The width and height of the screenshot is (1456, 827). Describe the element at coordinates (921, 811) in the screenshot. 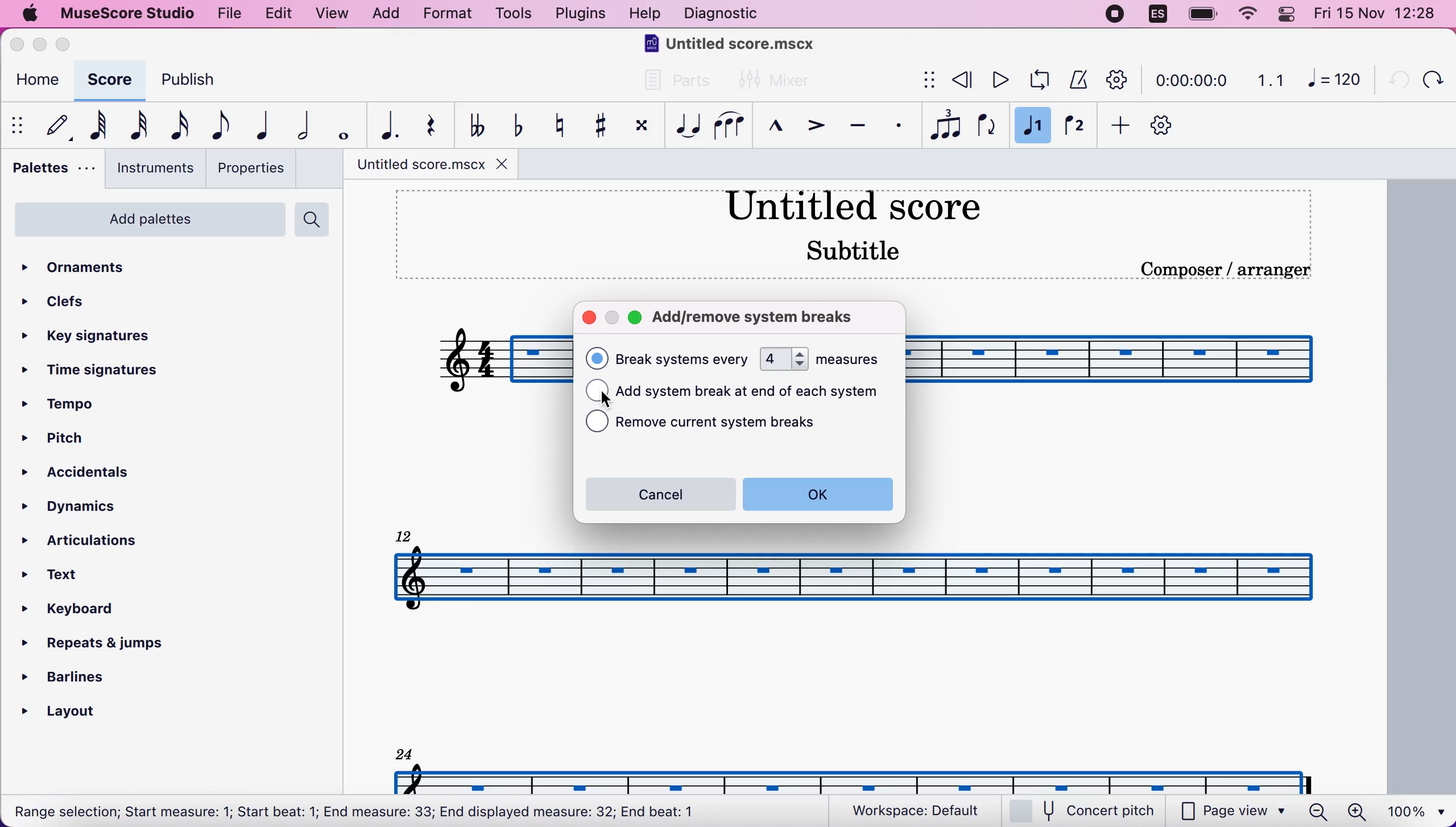

I see `workspace: default` at that location.